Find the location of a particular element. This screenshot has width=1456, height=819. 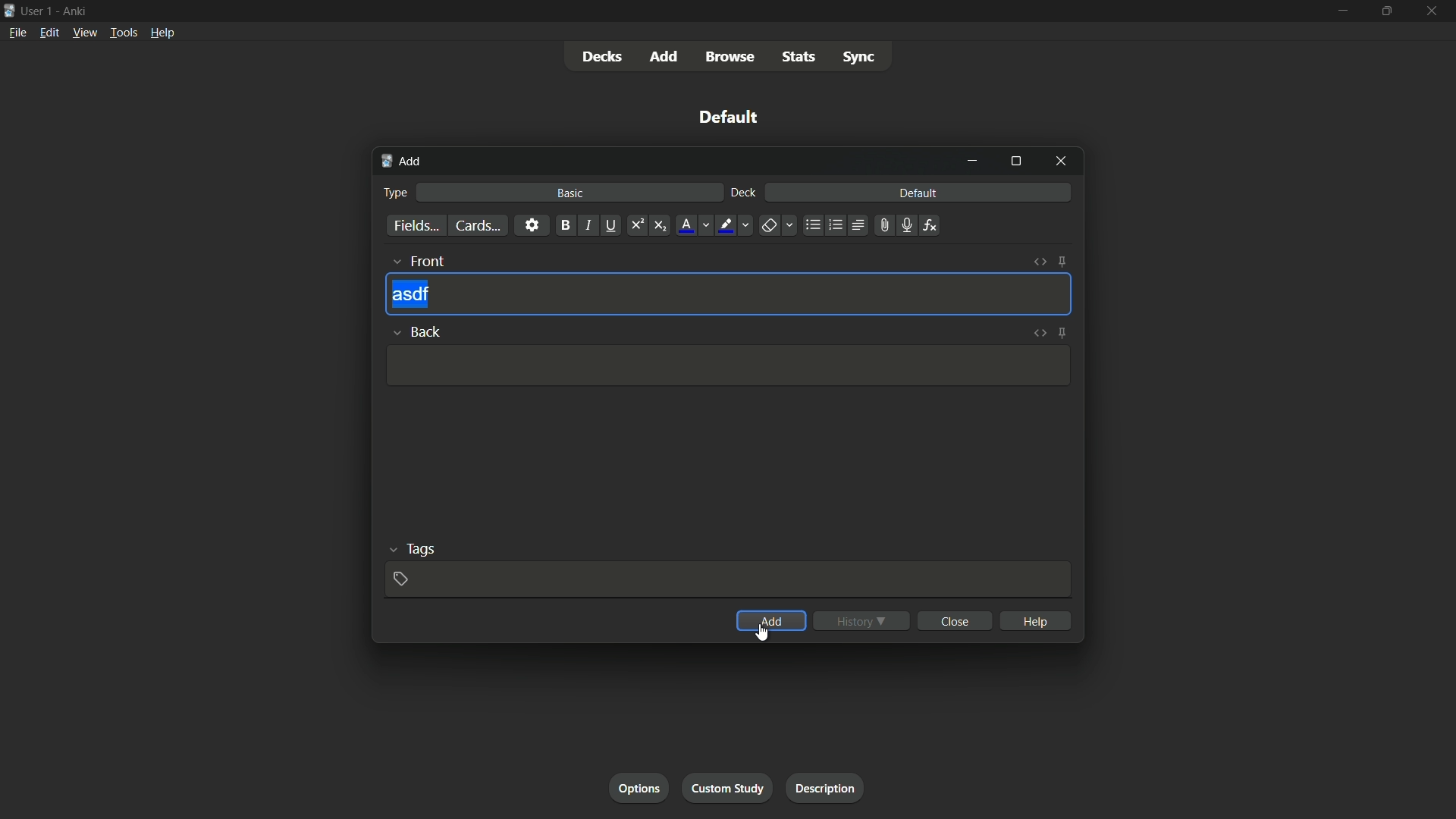

deck is located at coordinates (744, 193).